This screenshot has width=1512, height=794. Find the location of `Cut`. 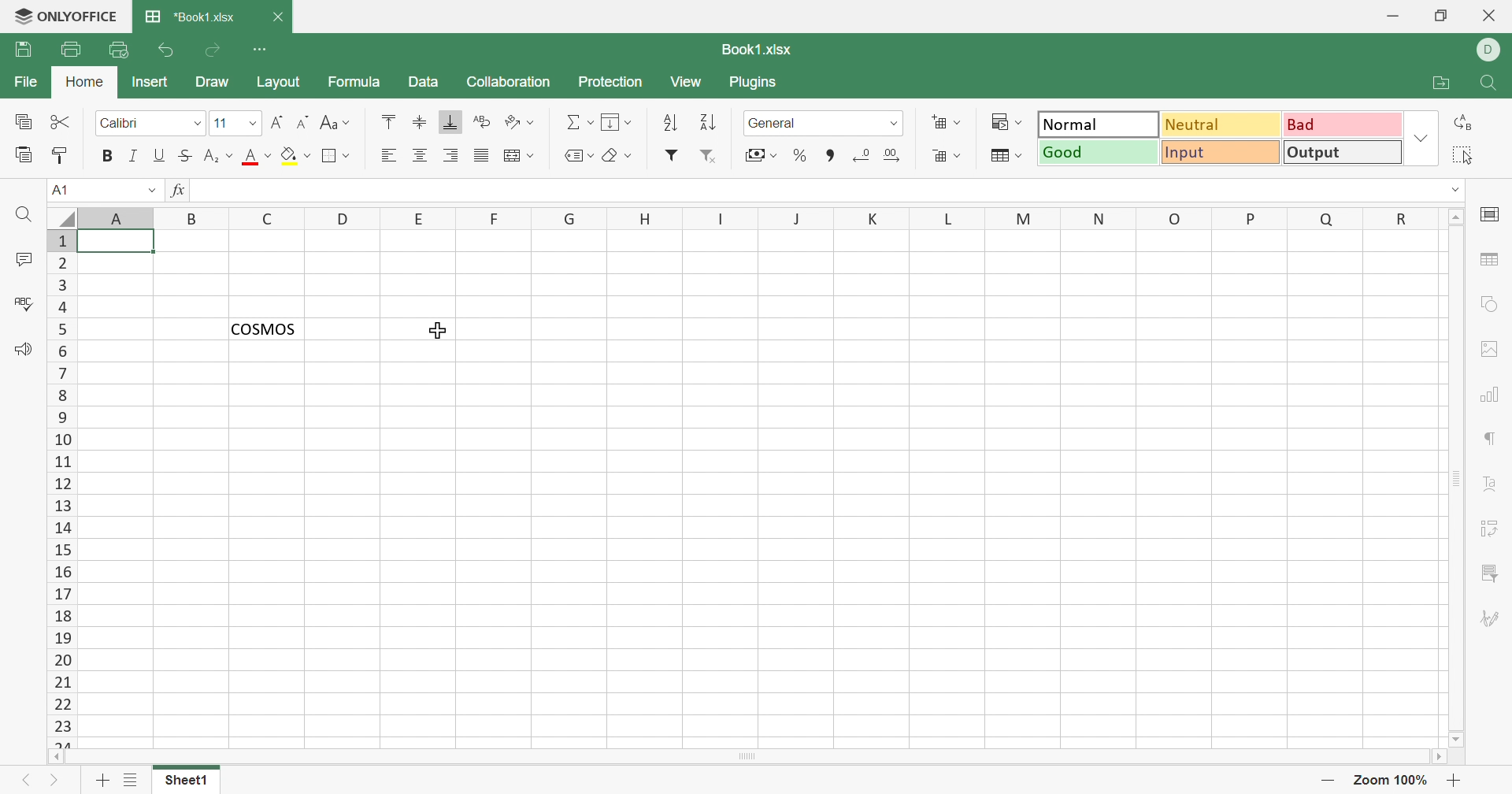

Cut is located at coordinates (62, 122).